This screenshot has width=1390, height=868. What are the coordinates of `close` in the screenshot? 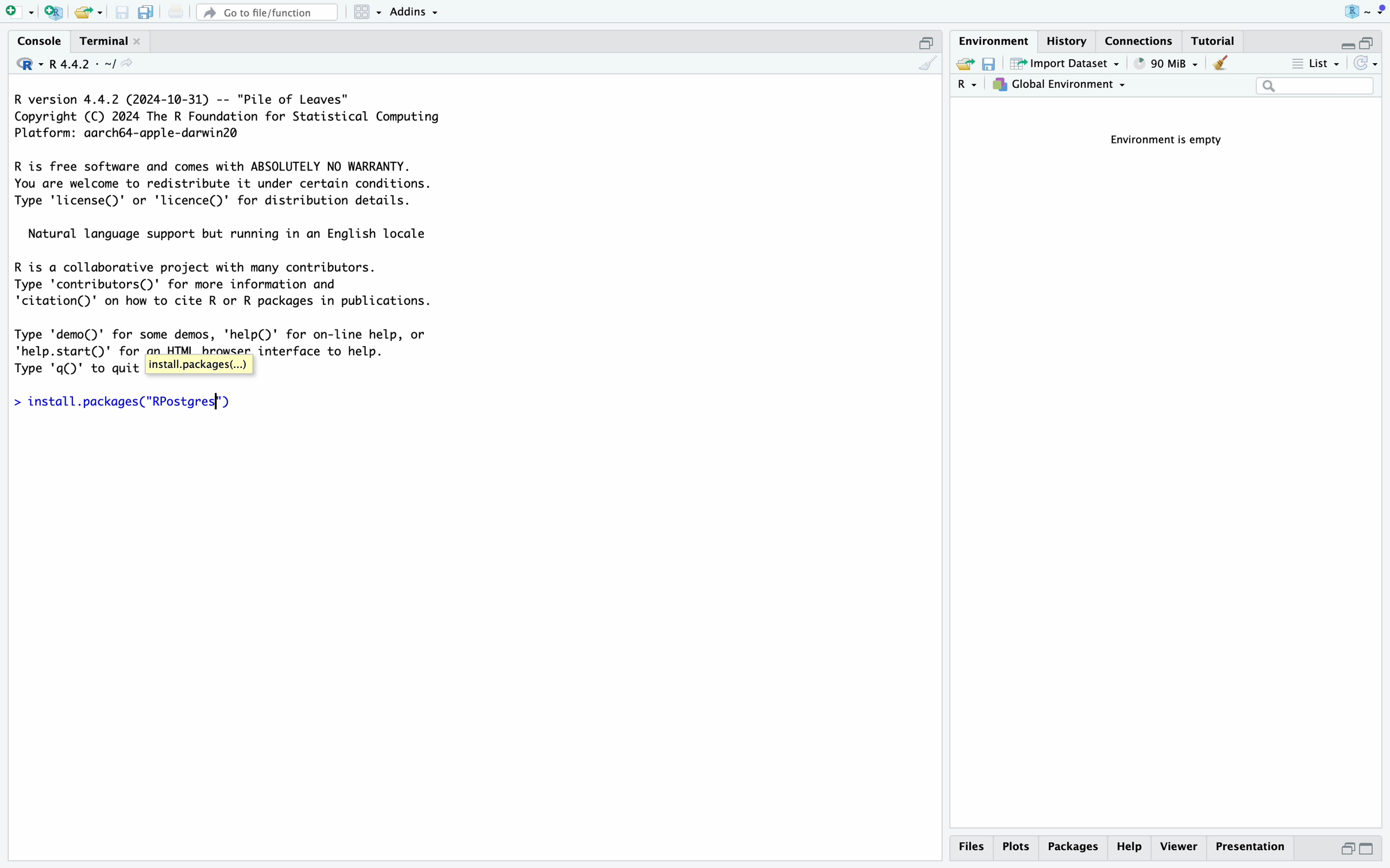 It's located at (140, 41).